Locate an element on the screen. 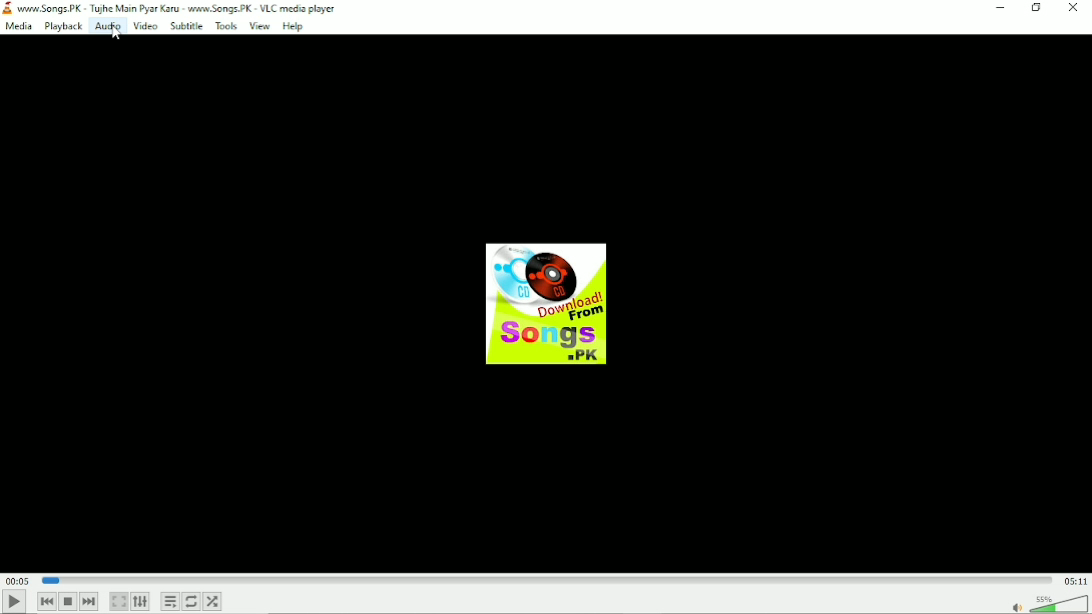 Image resolution: width=1092 pixels, height=614 pixels. Random is located at coordinates (213, 601).